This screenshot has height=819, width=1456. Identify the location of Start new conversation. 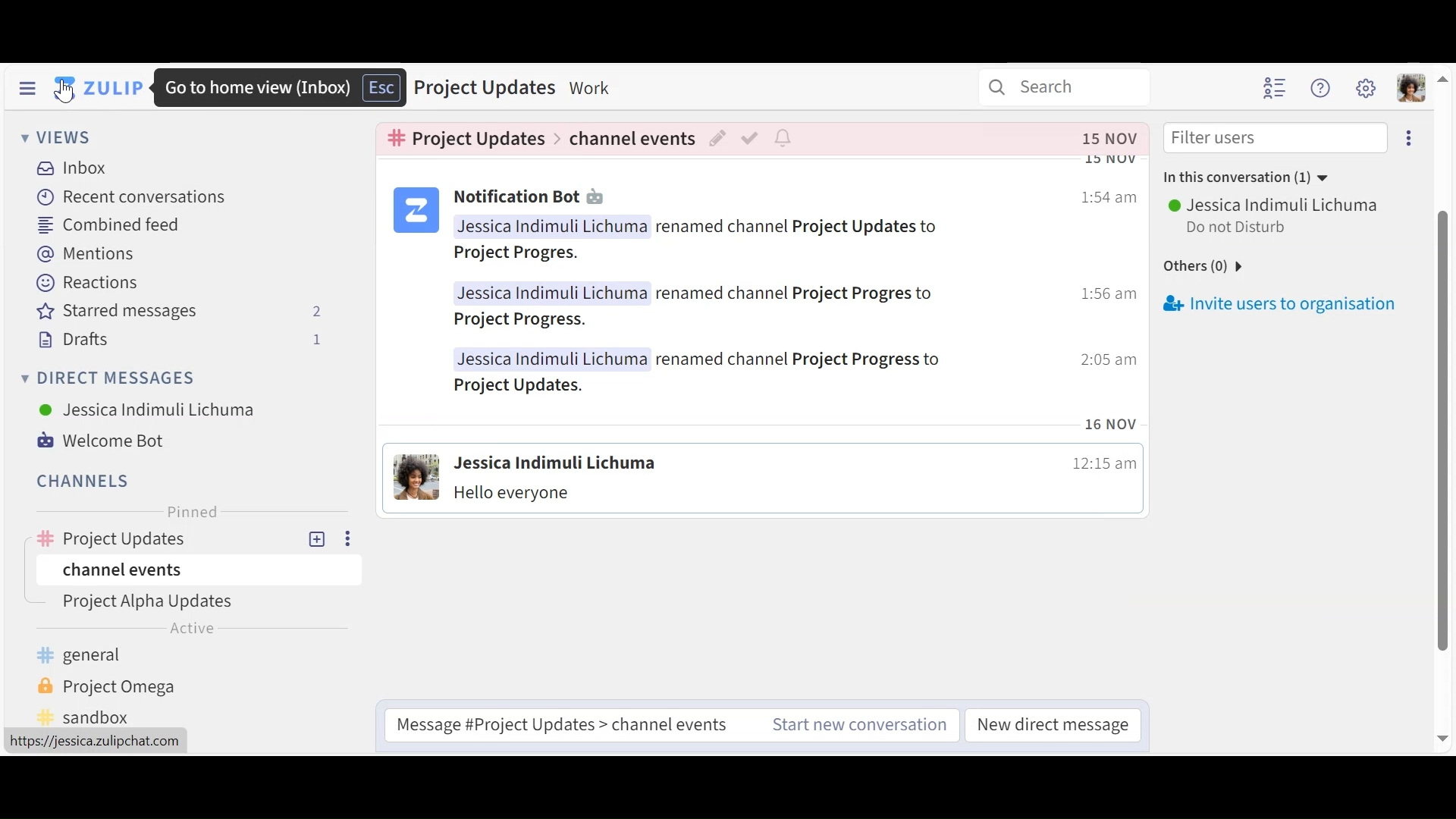
(862, 725).